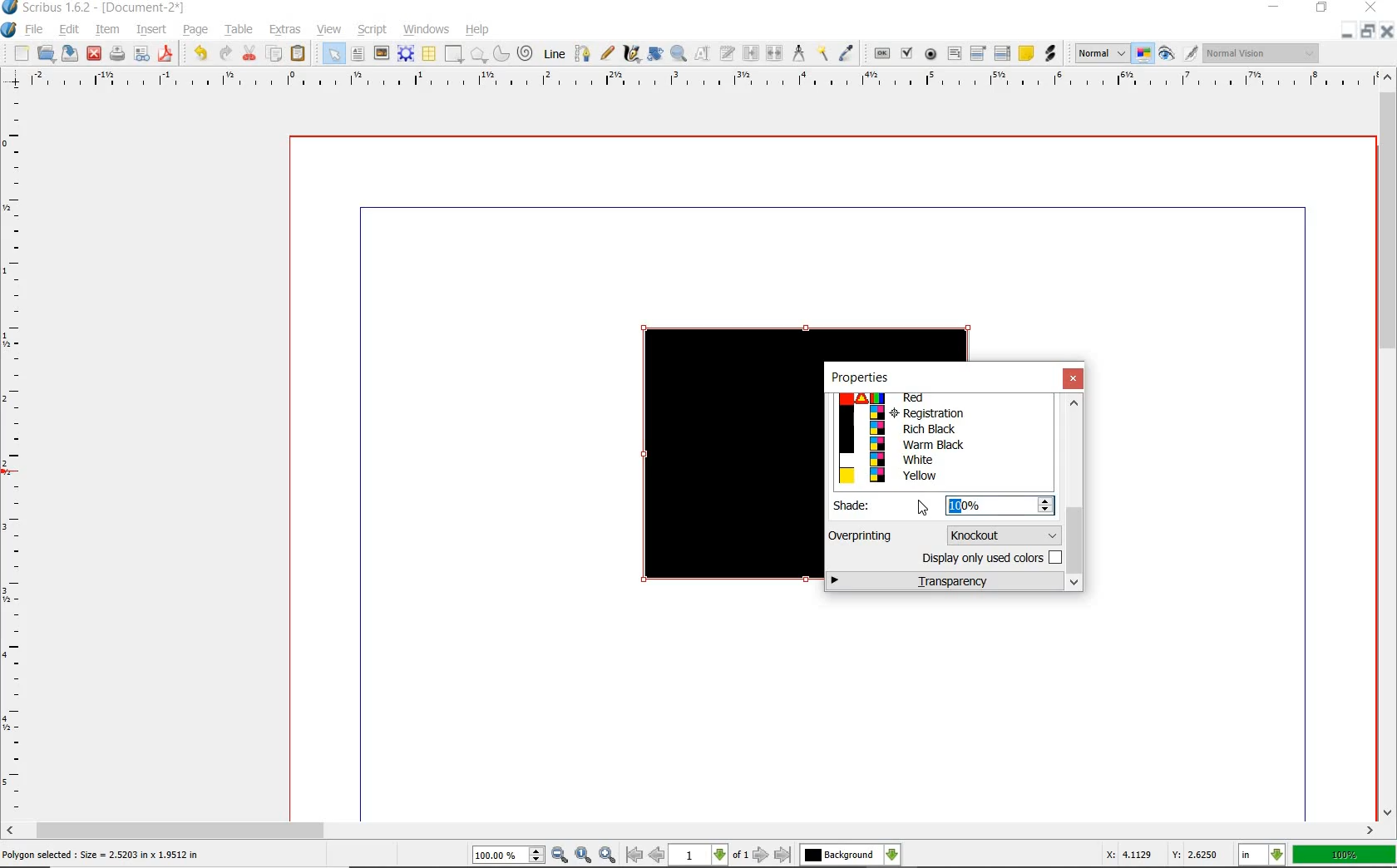  What do you see at coordinates (923, 508) in the screenshot?
I see `cursor` at bounding box center [923, 508].